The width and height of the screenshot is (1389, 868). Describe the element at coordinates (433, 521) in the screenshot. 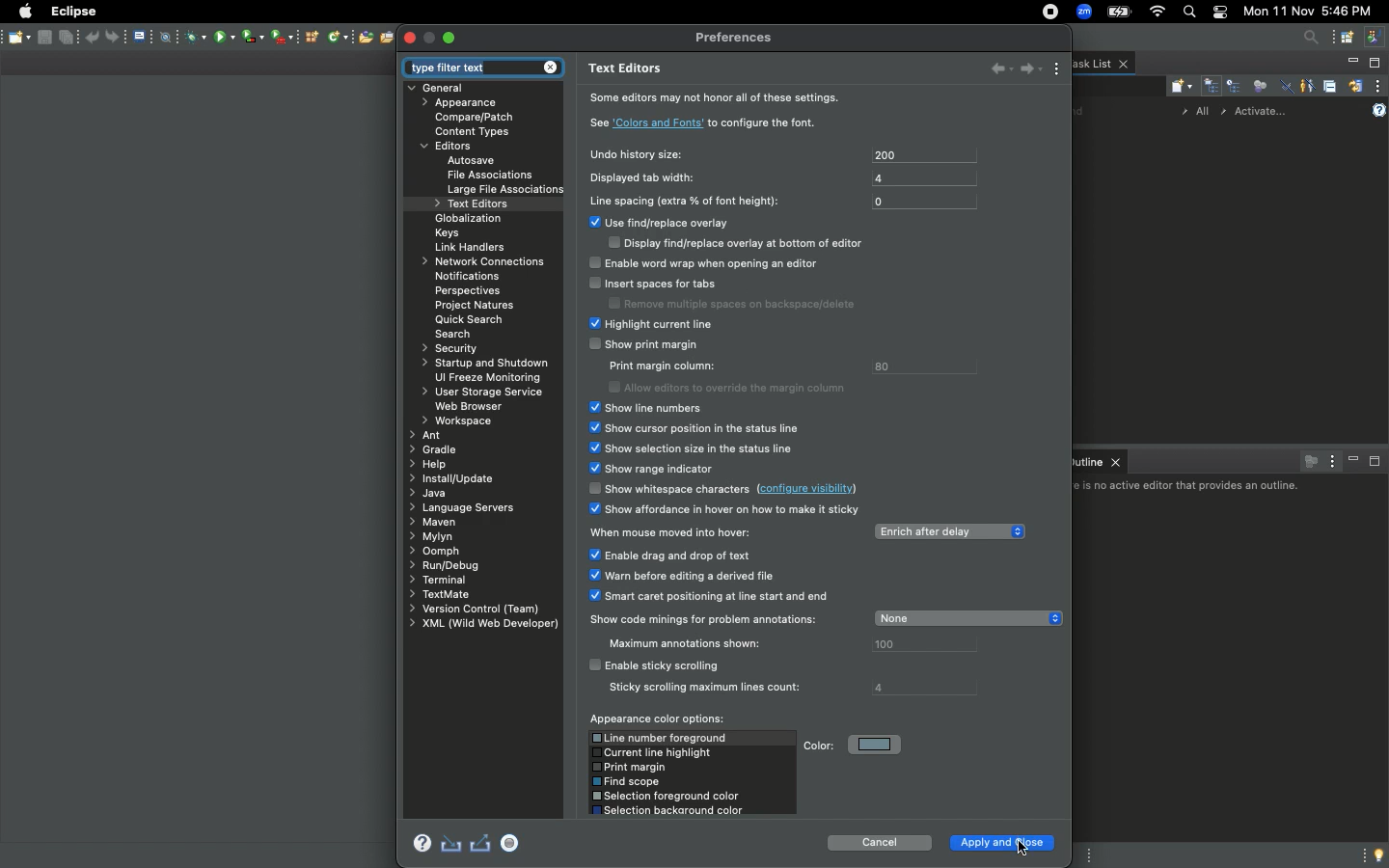

I see `Maven` at that location.